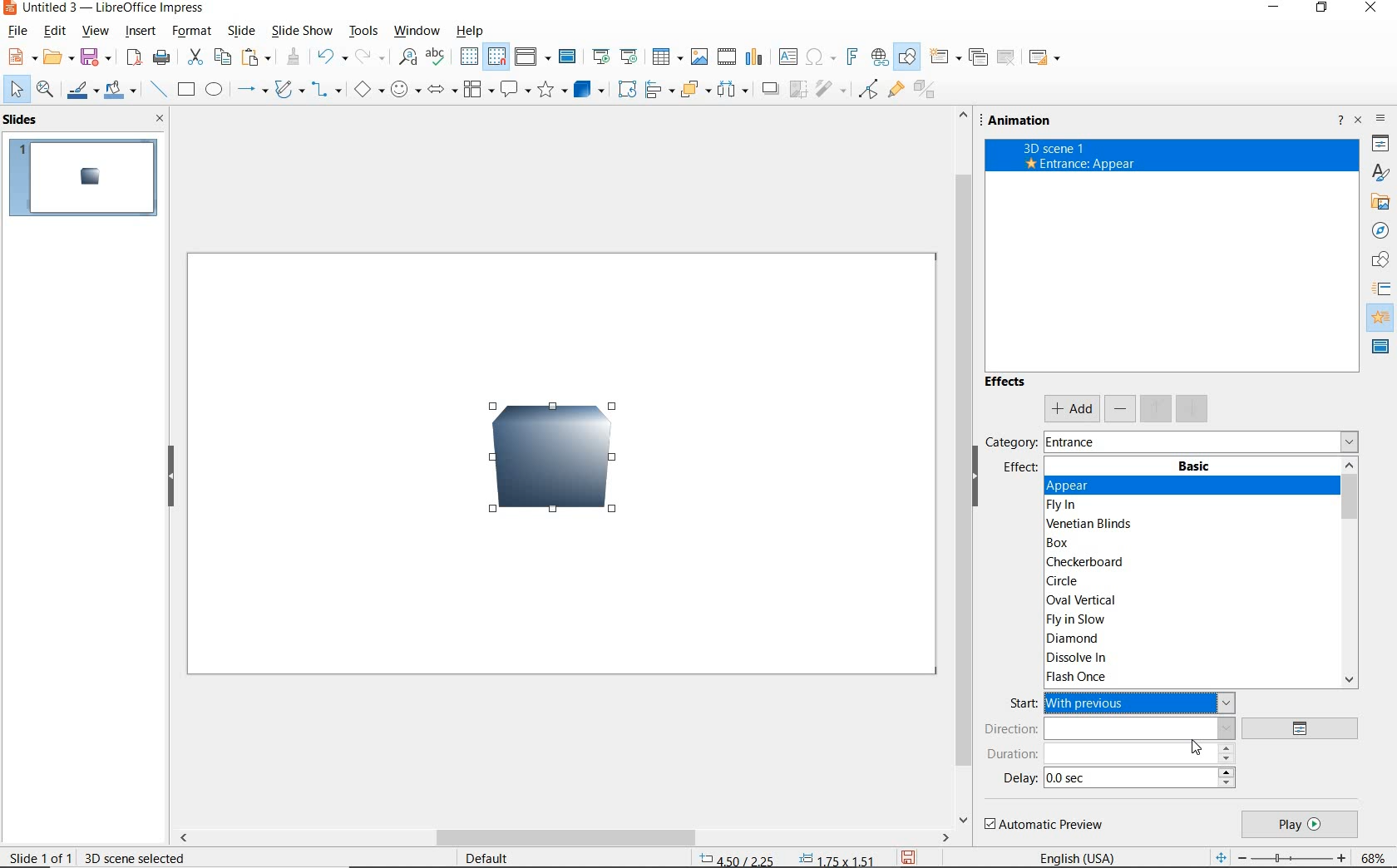 The height and width of the screenshot is (868, 1397). Describe the element at coordinates (96, 32) in the screenshot. I see `view` at that location.